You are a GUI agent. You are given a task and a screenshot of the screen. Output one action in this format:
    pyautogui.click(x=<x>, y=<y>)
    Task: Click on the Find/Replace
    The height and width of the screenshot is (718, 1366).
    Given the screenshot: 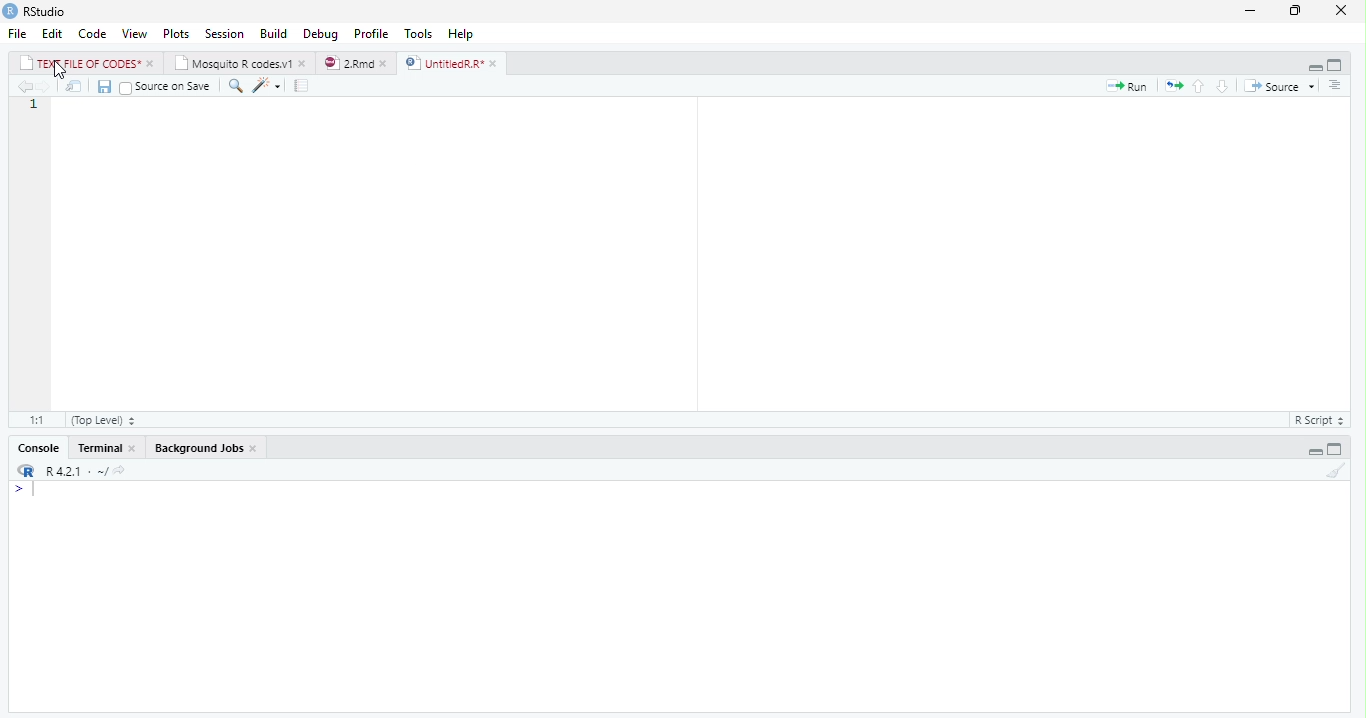 What is the action you would take?
    pyautogui.click(x=237, y=86)
    